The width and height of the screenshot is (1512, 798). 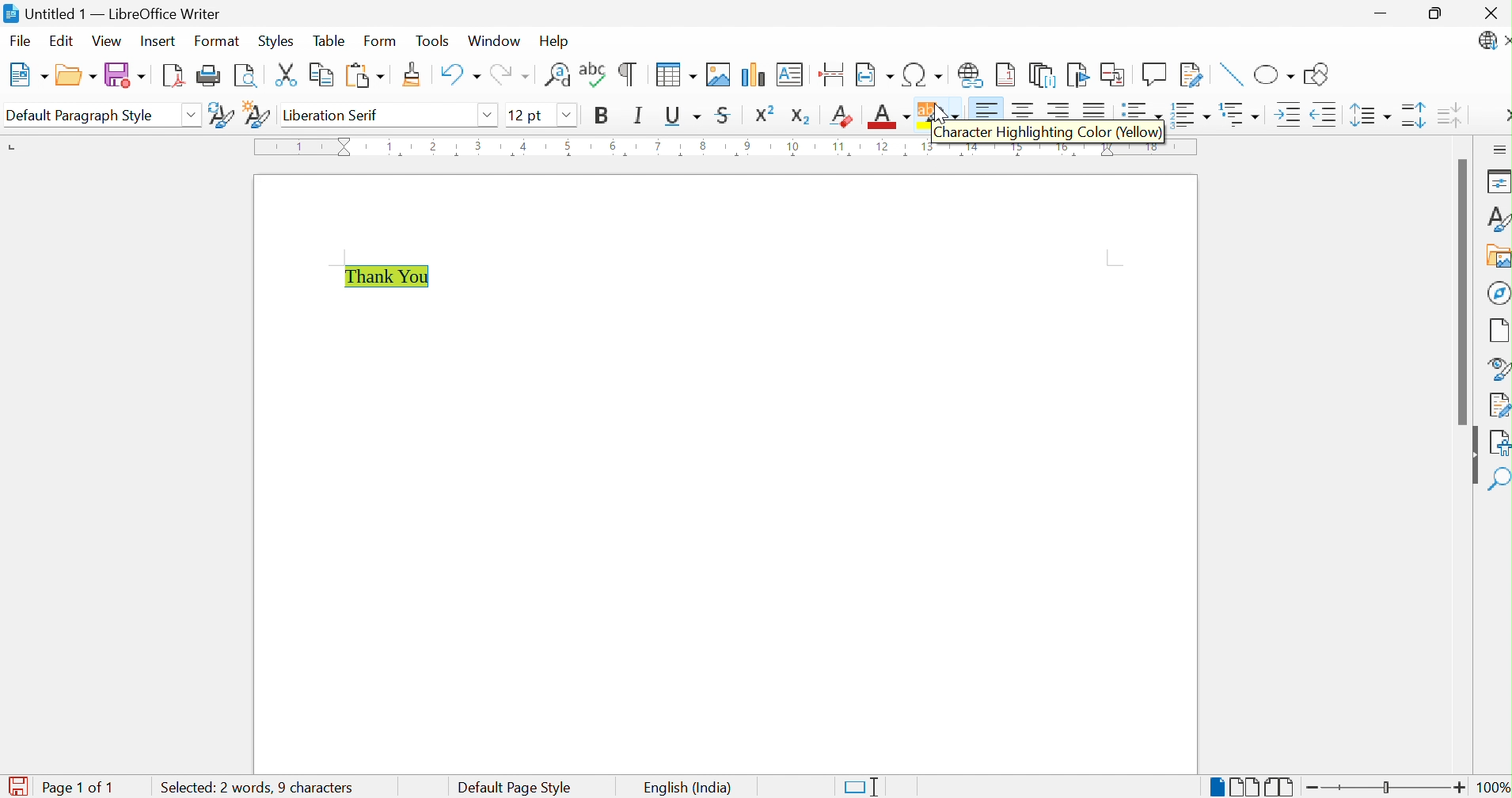 What do you see at coordinates (1078, 74) in the screenshot?
I see `Bookmark` at bounding box center [1078, 74].